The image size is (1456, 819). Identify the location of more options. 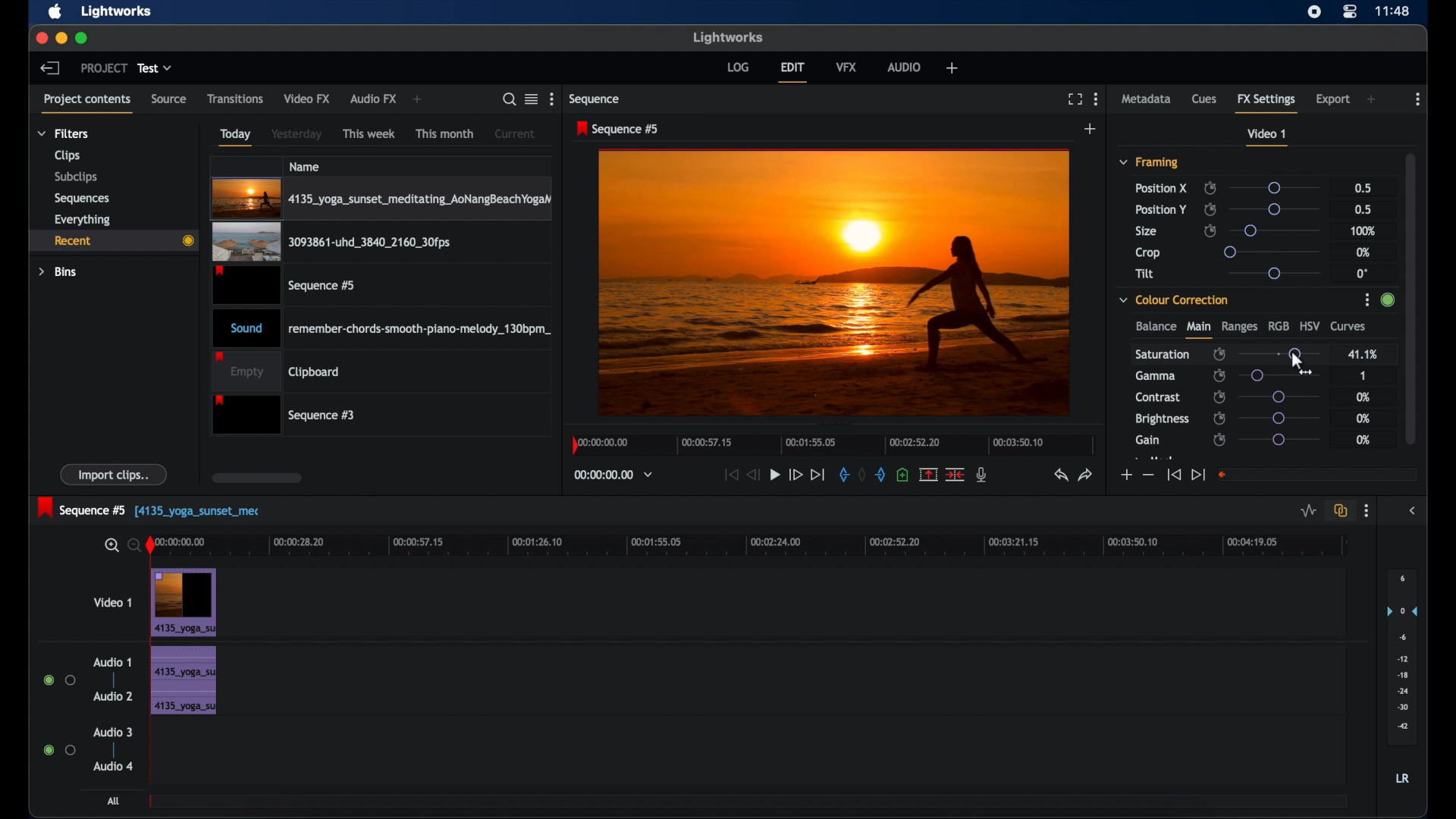
(1418, 99).